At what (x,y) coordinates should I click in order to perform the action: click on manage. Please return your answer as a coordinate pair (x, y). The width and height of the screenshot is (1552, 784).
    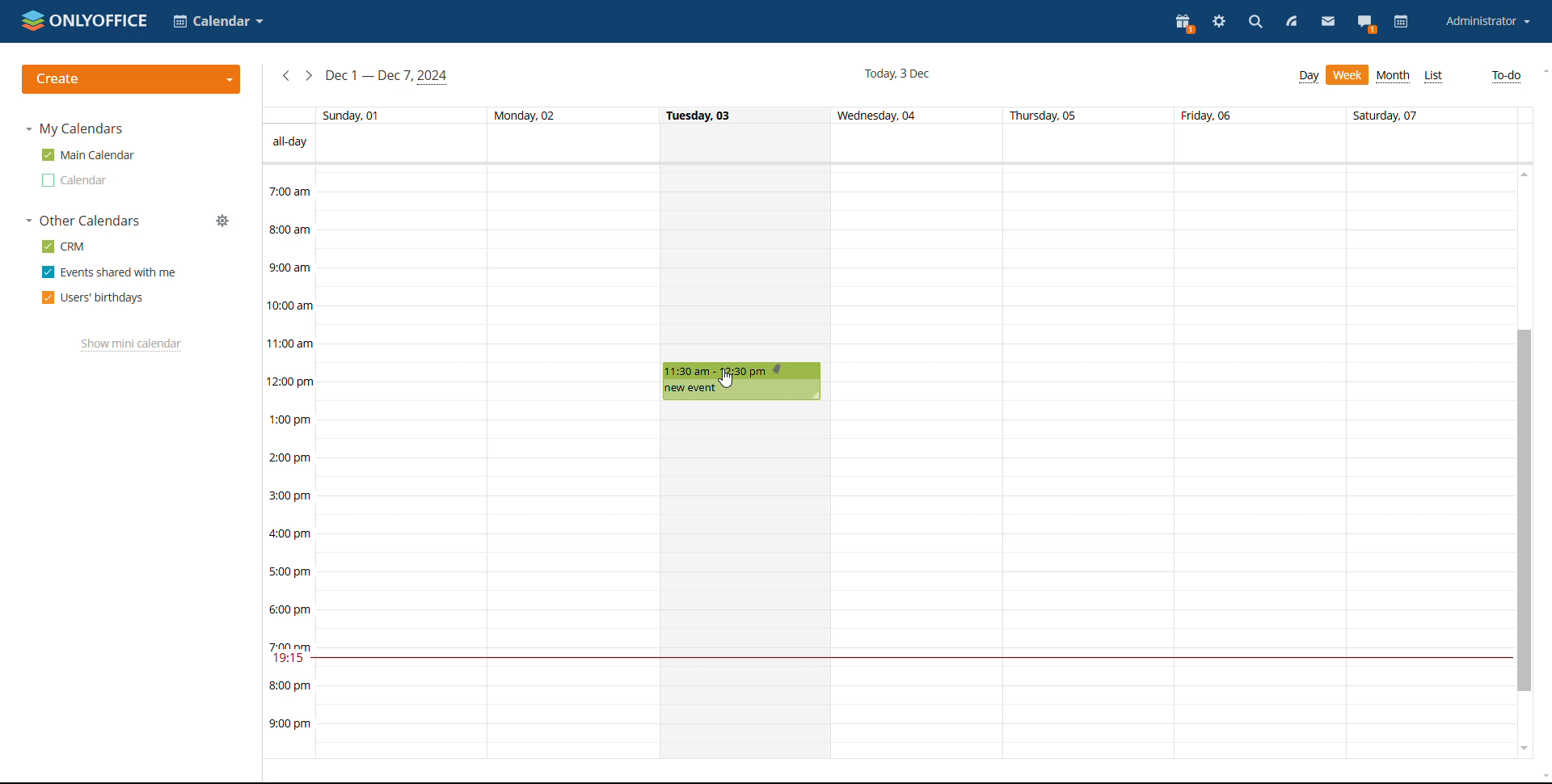
    Looking at the image, I should click on (223, 221).